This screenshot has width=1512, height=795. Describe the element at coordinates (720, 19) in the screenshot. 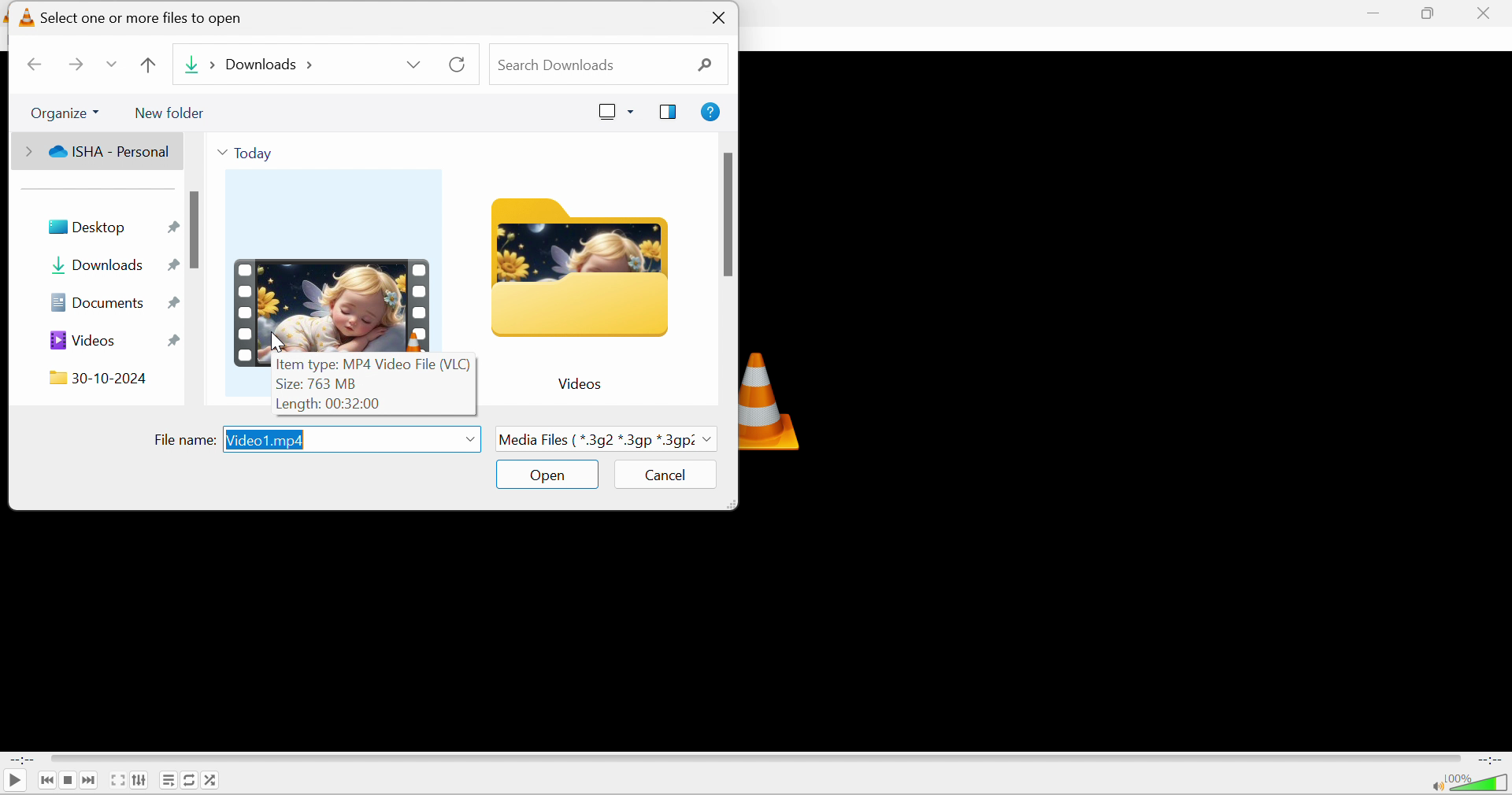

I see `Close` at that location.